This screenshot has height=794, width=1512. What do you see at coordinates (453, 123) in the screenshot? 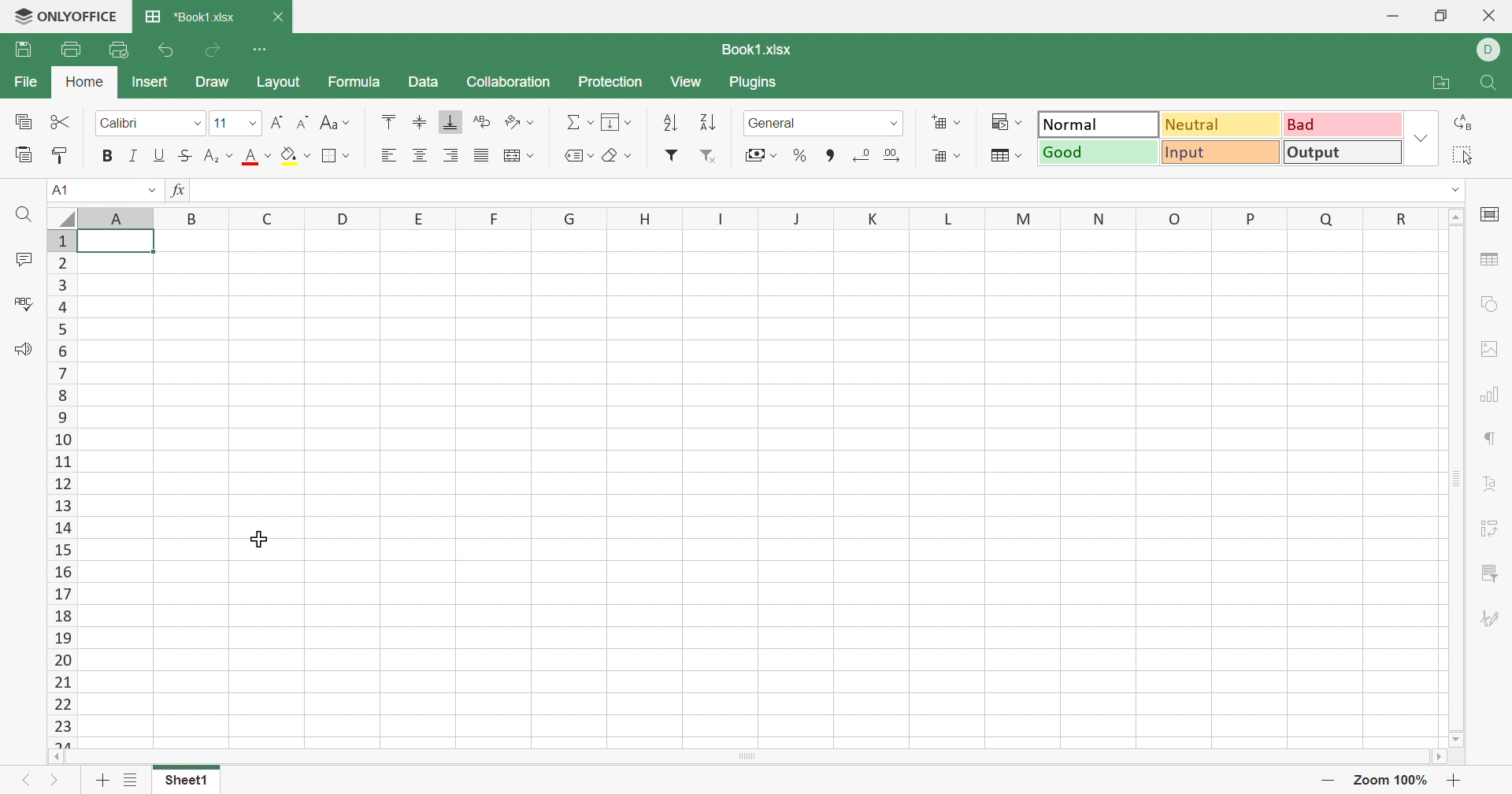
I see `Align Bottom` at bounding box center [453, 123].